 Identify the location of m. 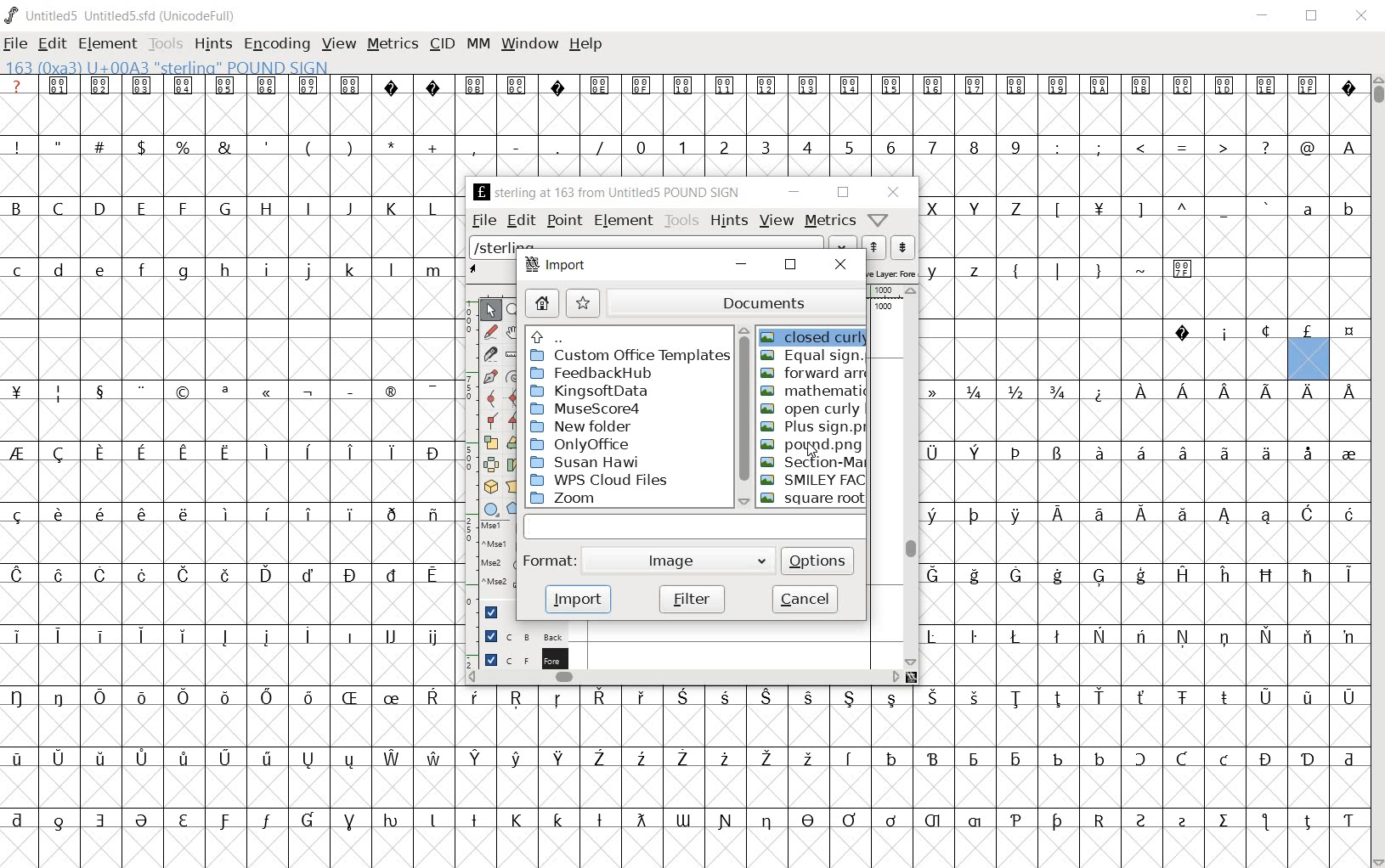
(433, 270).